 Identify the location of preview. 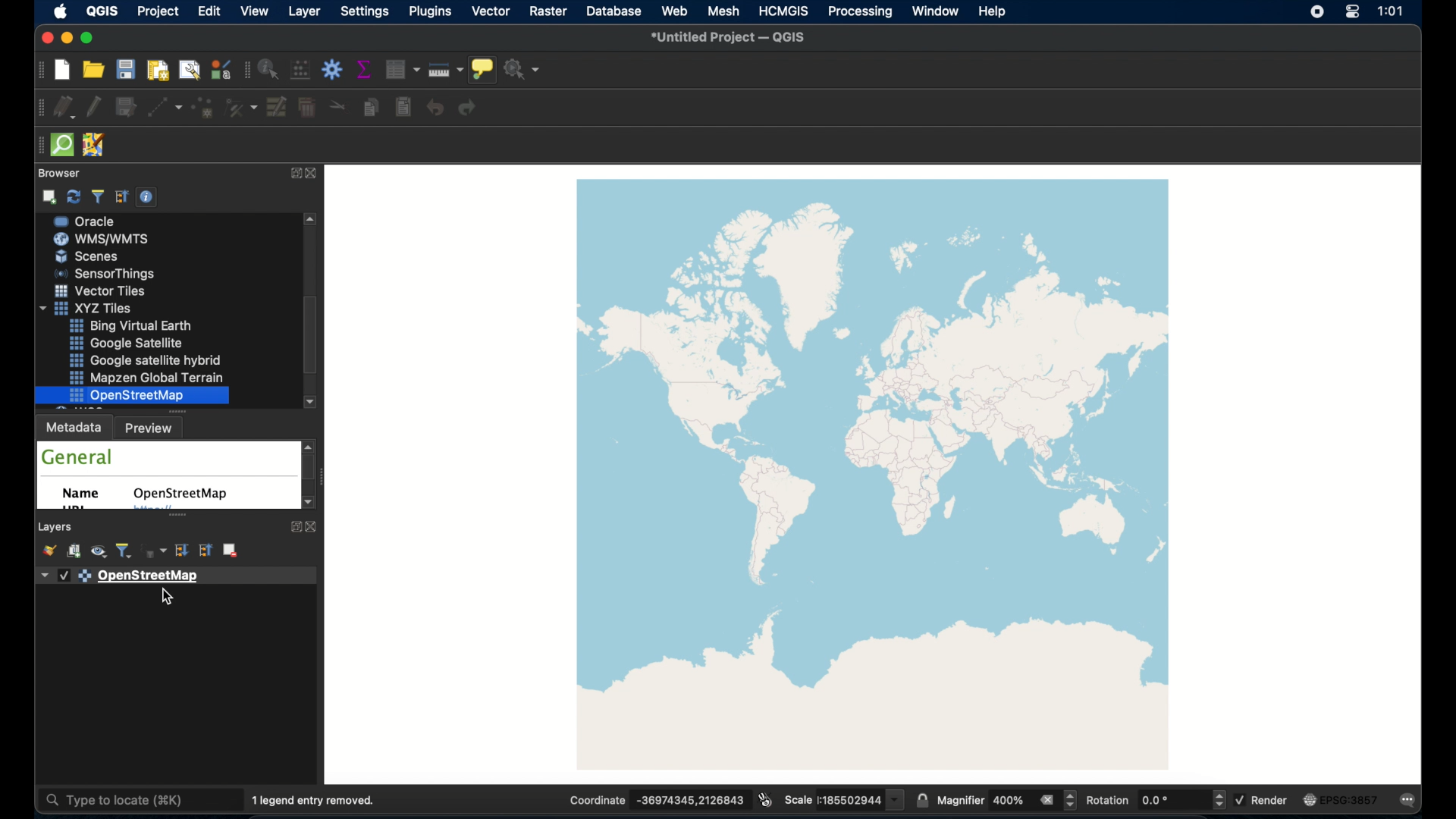
(152, 429).